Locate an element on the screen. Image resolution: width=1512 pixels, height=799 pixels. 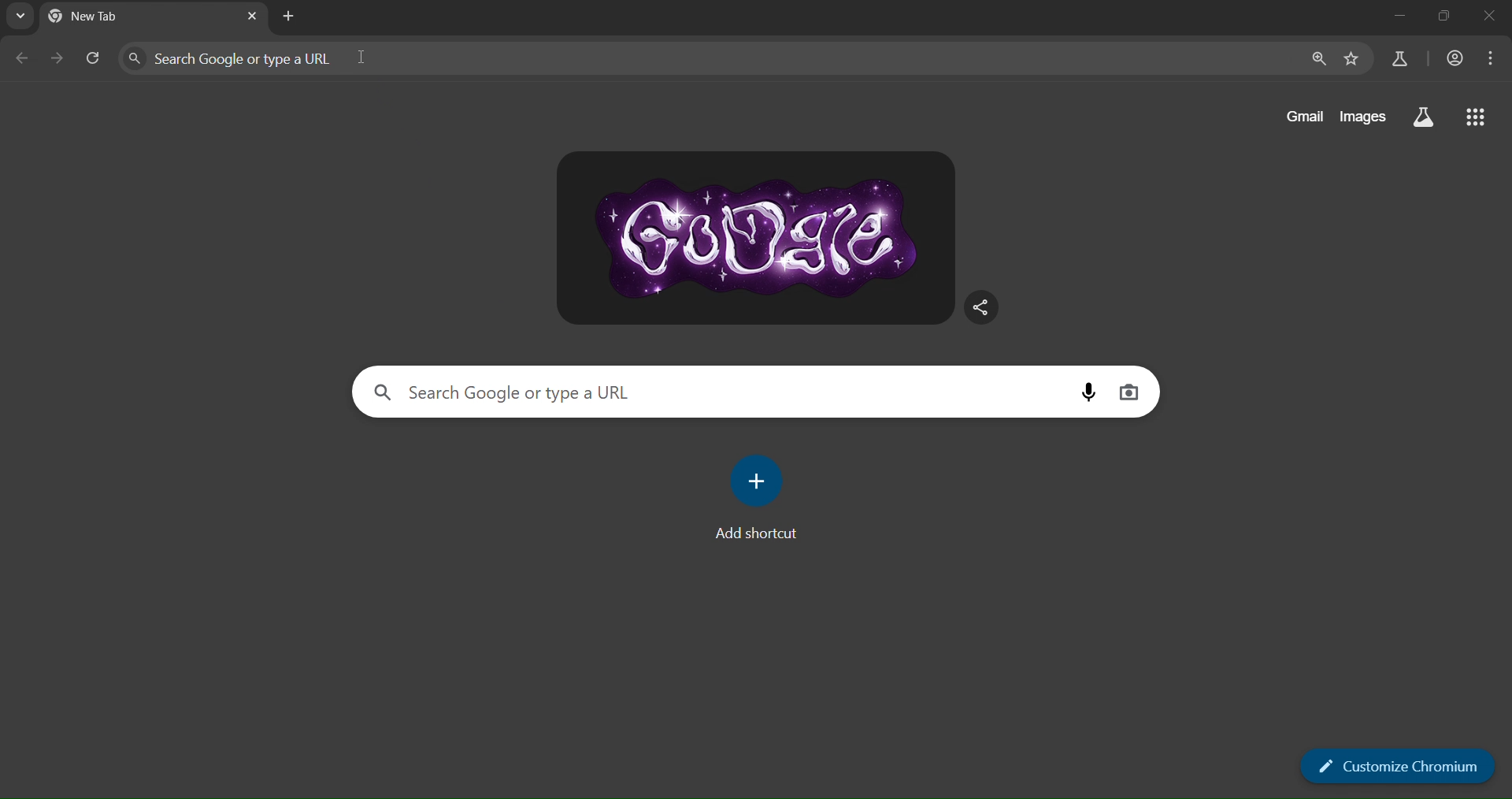
share is located at coordinates (980, 306).